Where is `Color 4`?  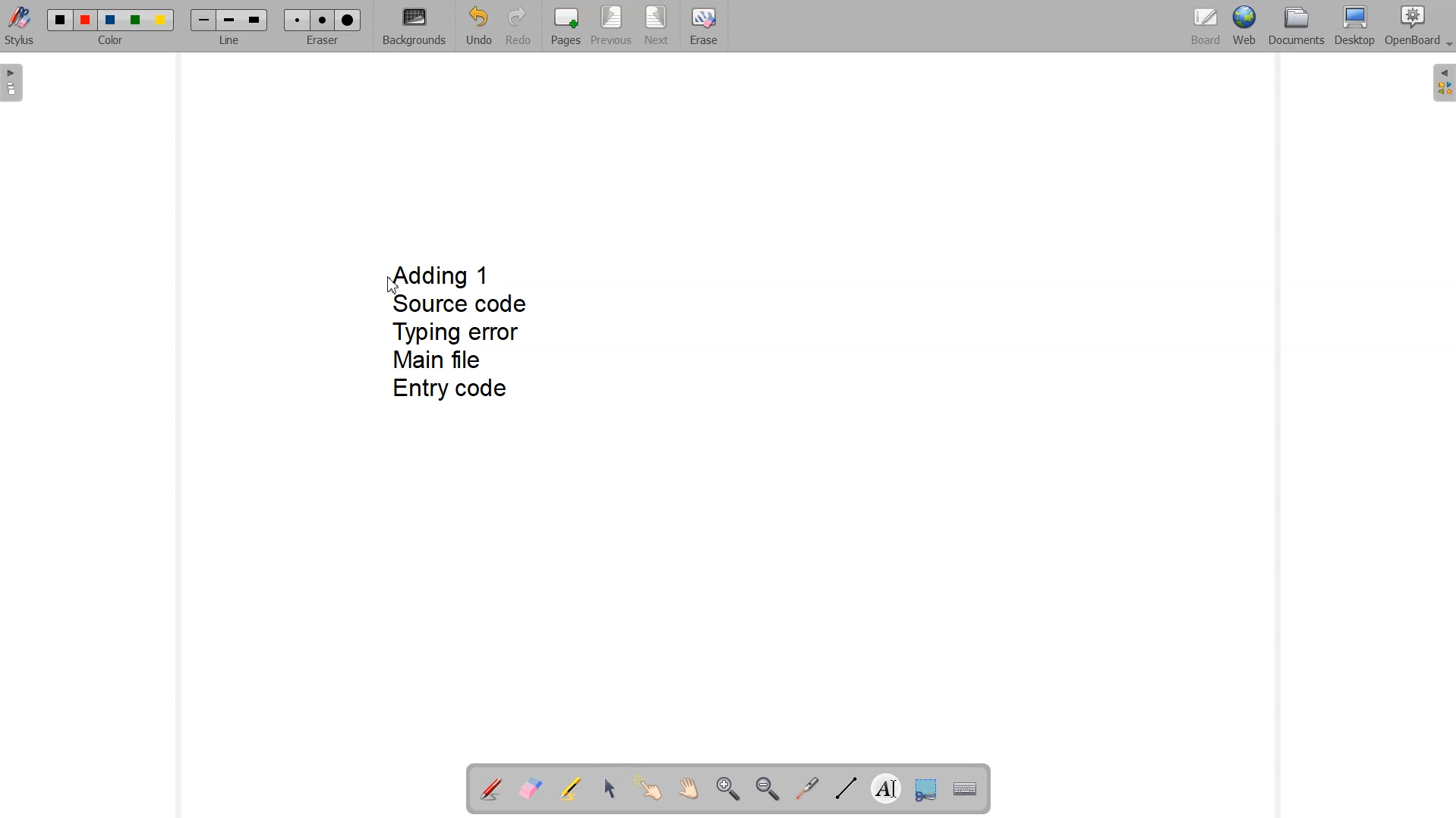
Color 4 is located at coordinates (137, 20).